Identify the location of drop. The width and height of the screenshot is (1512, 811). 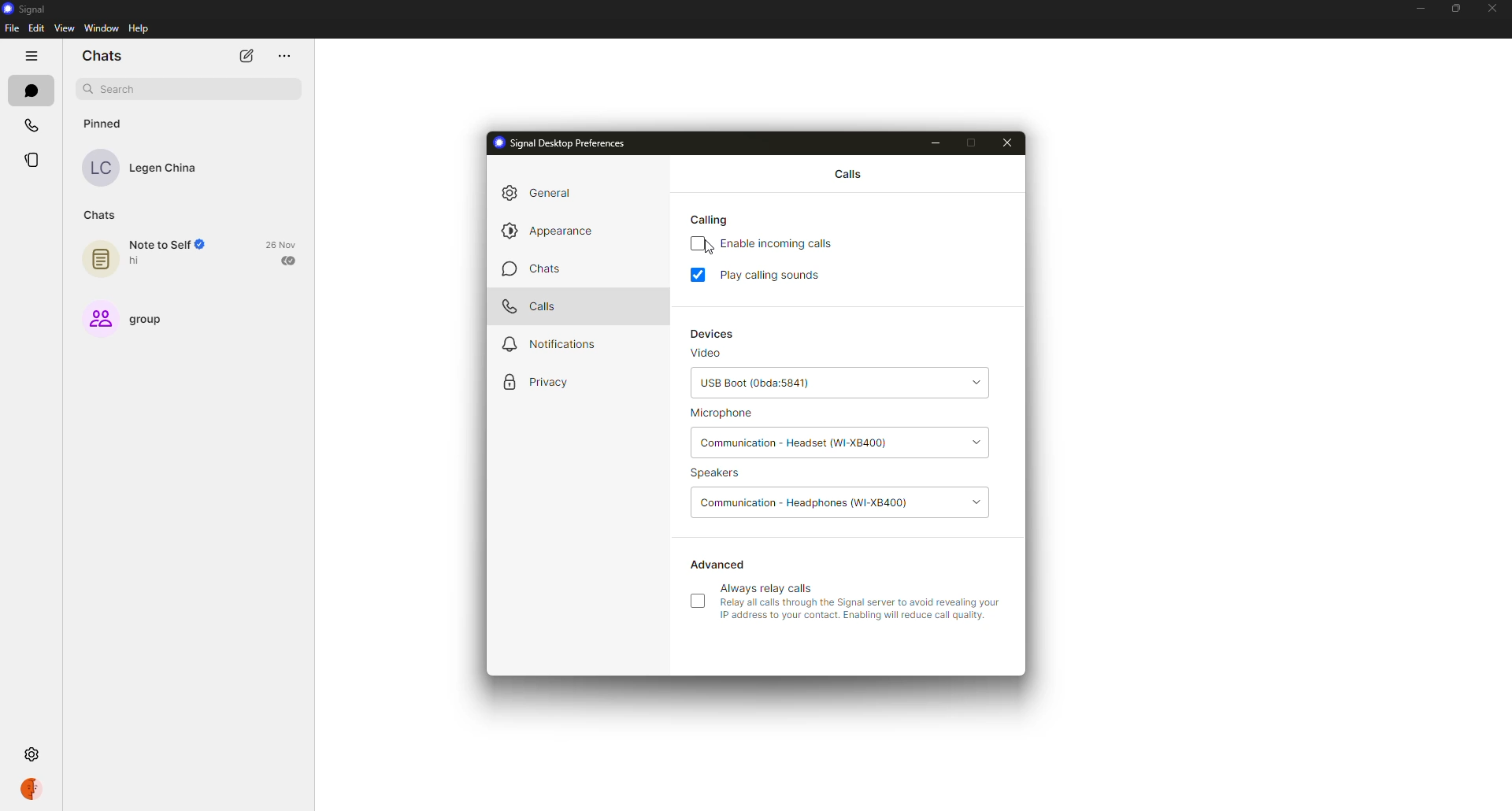
(980, 442).